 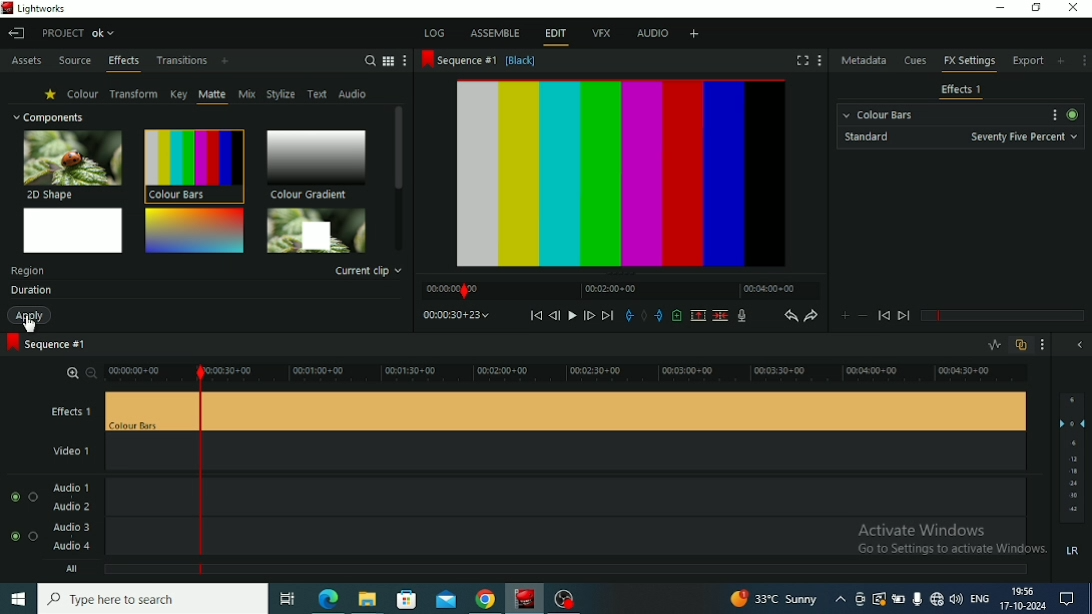 What do you see at coordinates (566, 598) in the screenshot?
I see `App` at bounding box center [566, 598].